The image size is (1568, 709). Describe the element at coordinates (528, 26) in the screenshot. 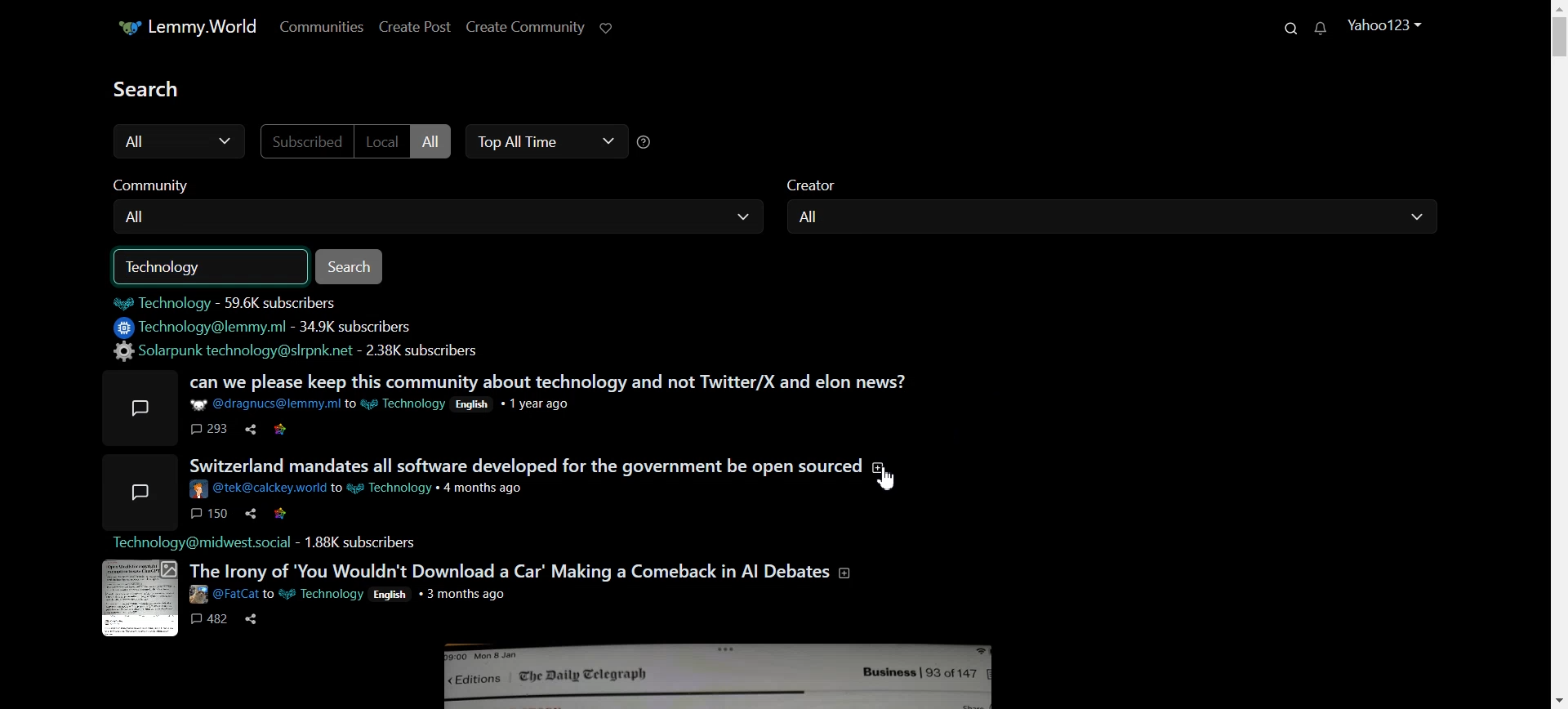

I see `Create Community ` at that location.